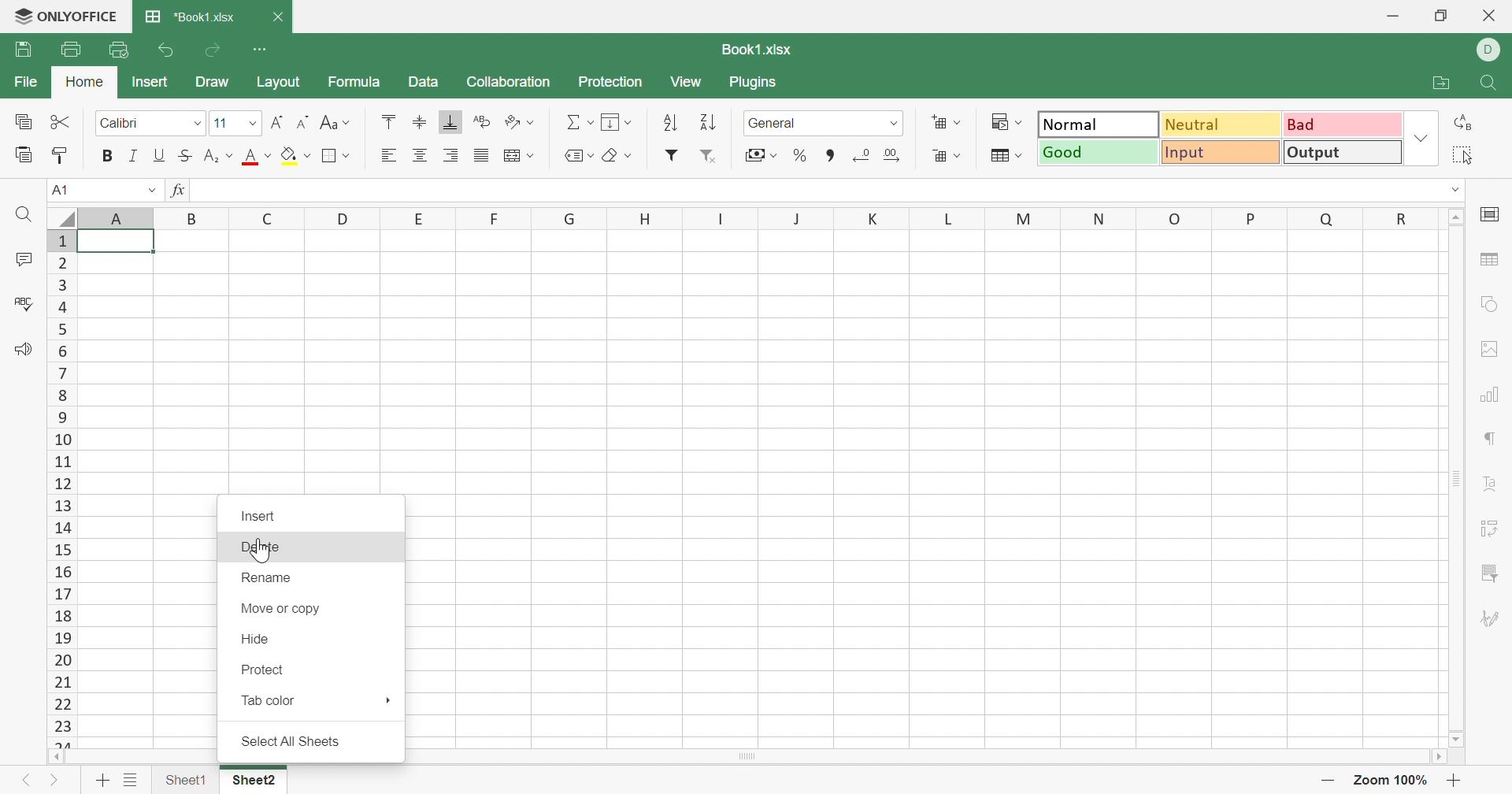 The width and height of the screenshot is (1512, 794). What do you see at coordinates (388, 155) in the screenshot?
I see `Align Left` at bounding box center [388, 155].